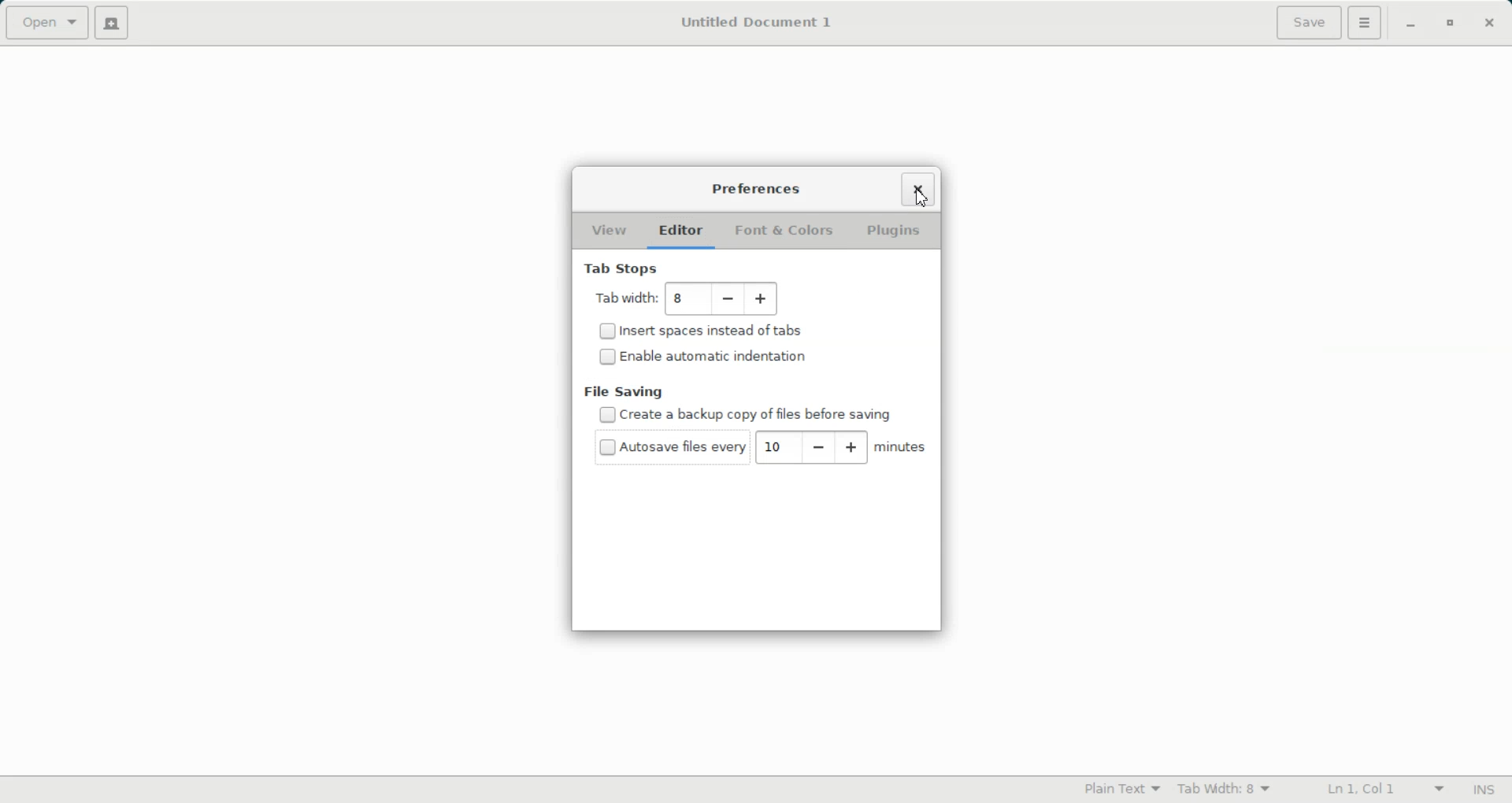 The width and height of the screenshot is (1512, 803). Describe the element at coordinates (815, 447) in the screenshot. I see `Decrease` at that location.